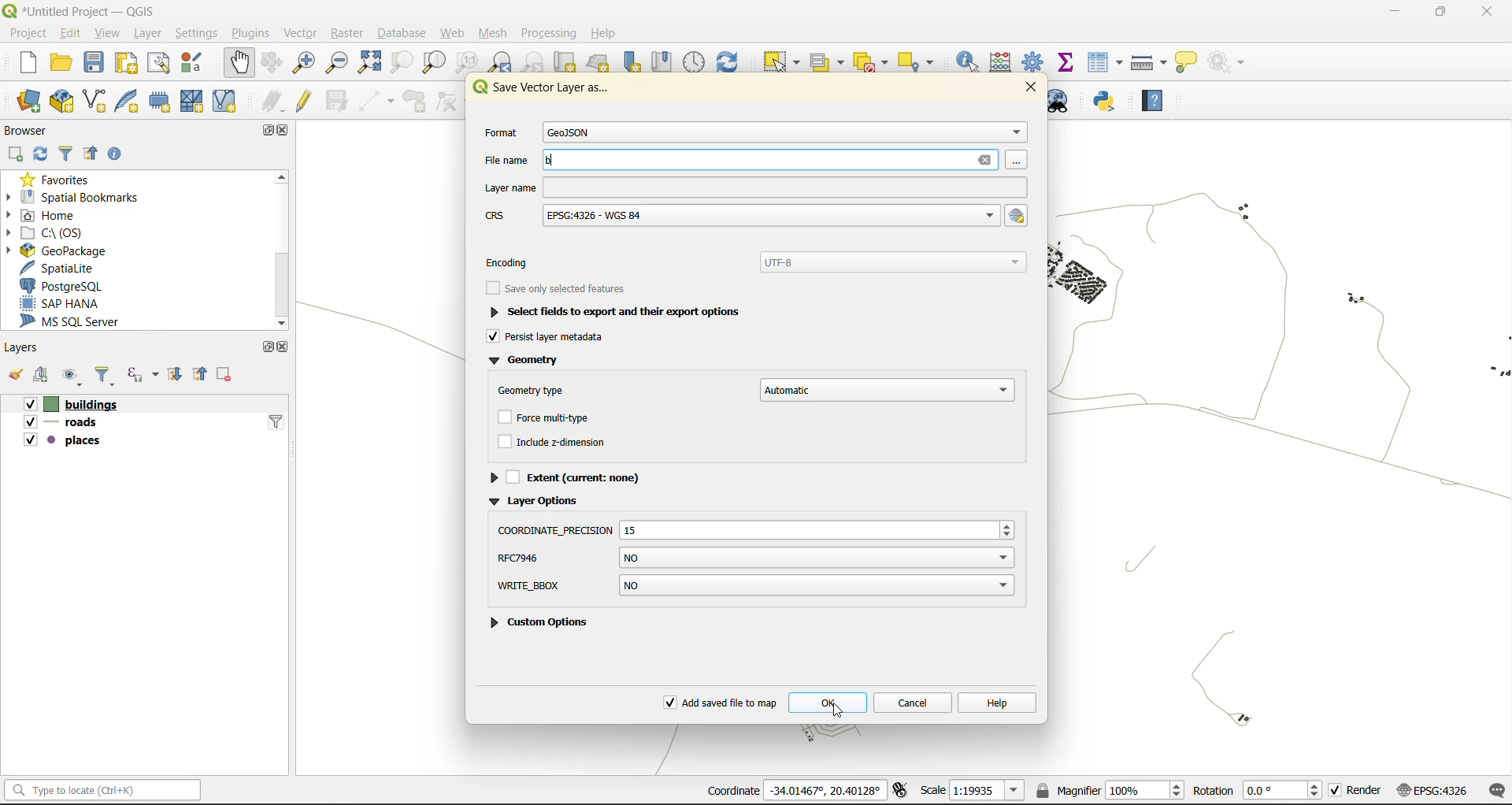  Describe the element at coordinates (665, 62) in the screenshot. I see `show spatial bookmark` at that location.